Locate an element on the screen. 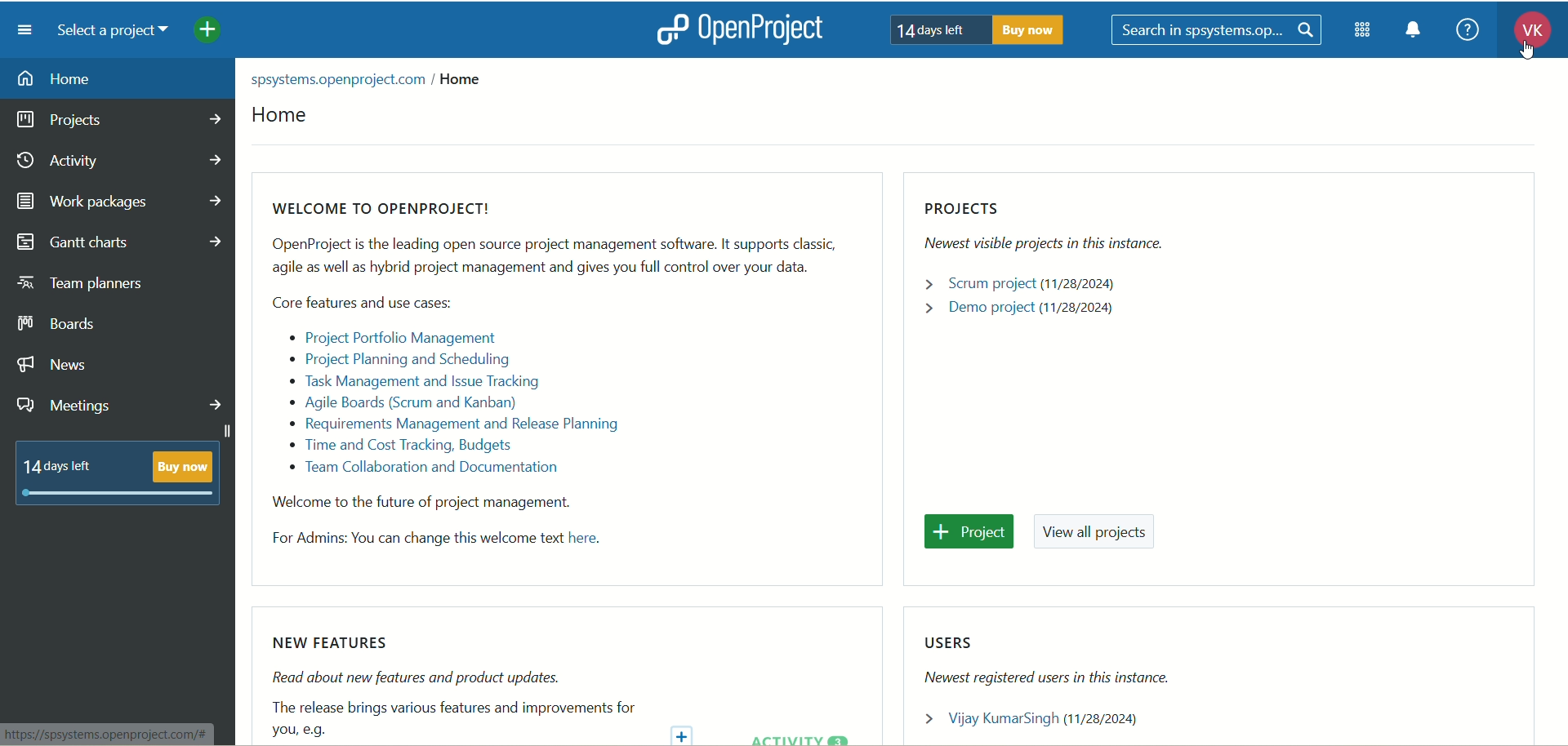 The width and height of the screenshot is (1568, 746). modules is located at coordinates (1364, 33).